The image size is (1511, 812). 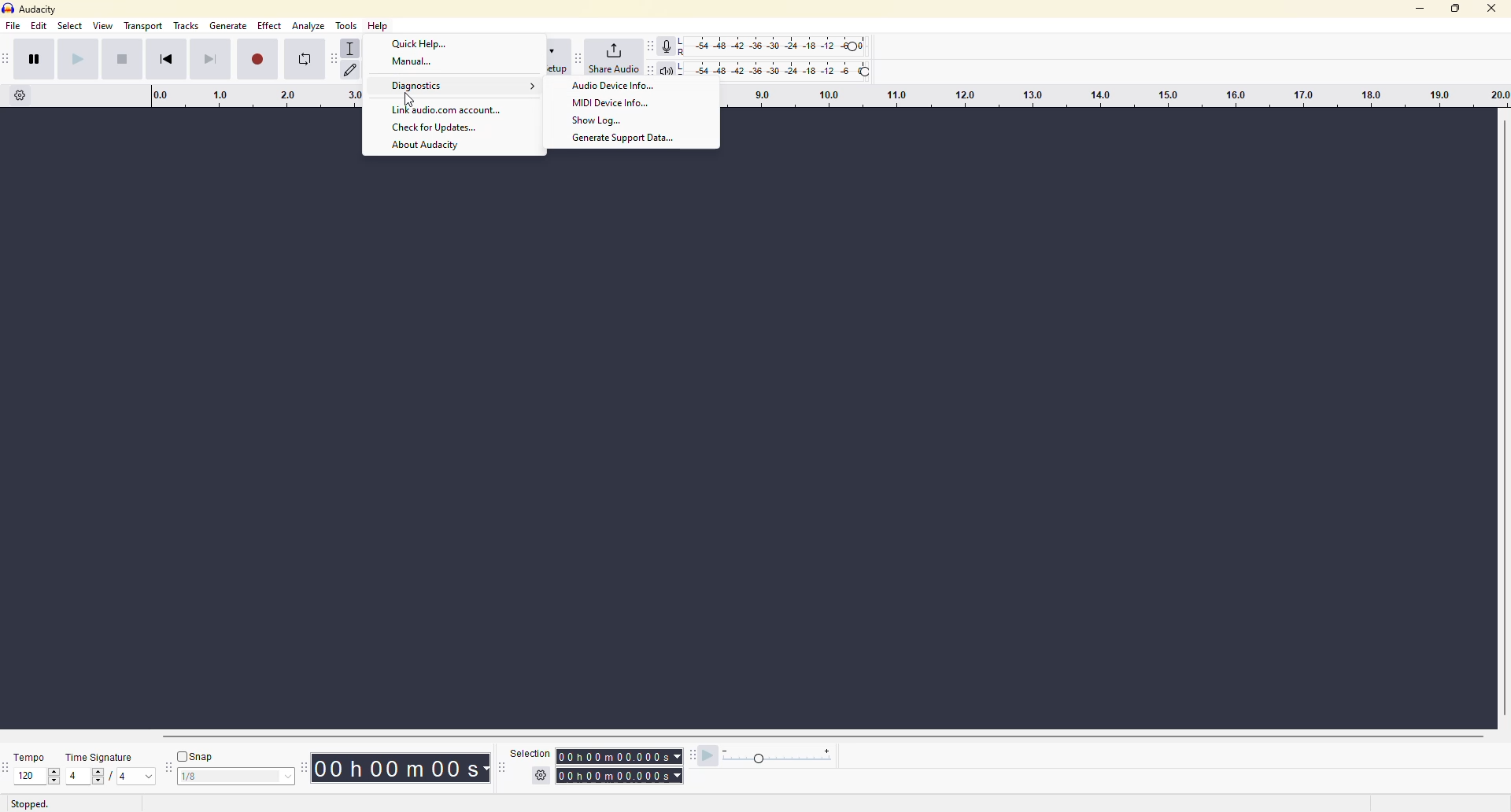 I want to click on click and drag to define a looping region, so click(x=1110, y=96).